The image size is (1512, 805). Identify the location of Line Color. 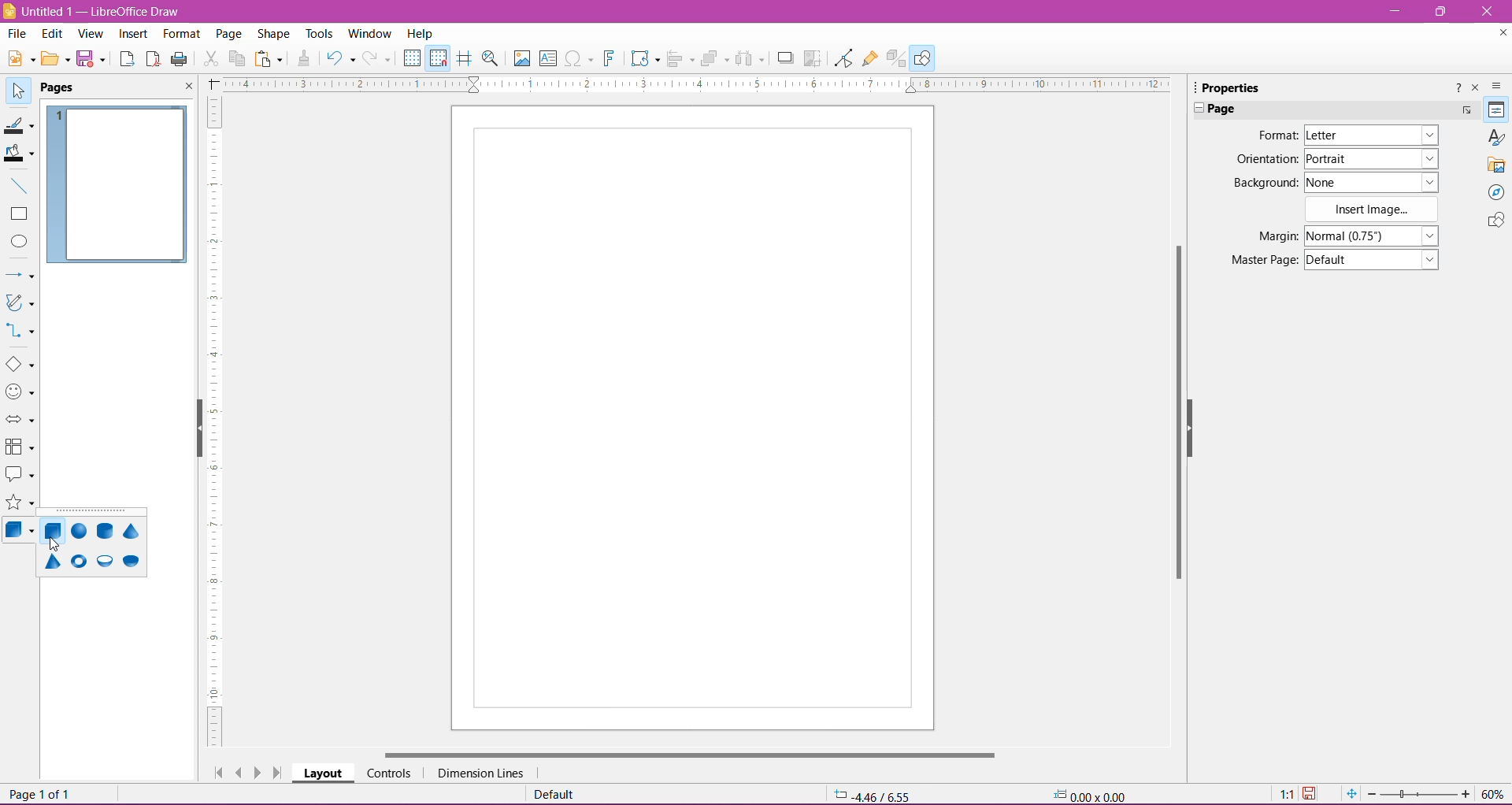
(19, 124).